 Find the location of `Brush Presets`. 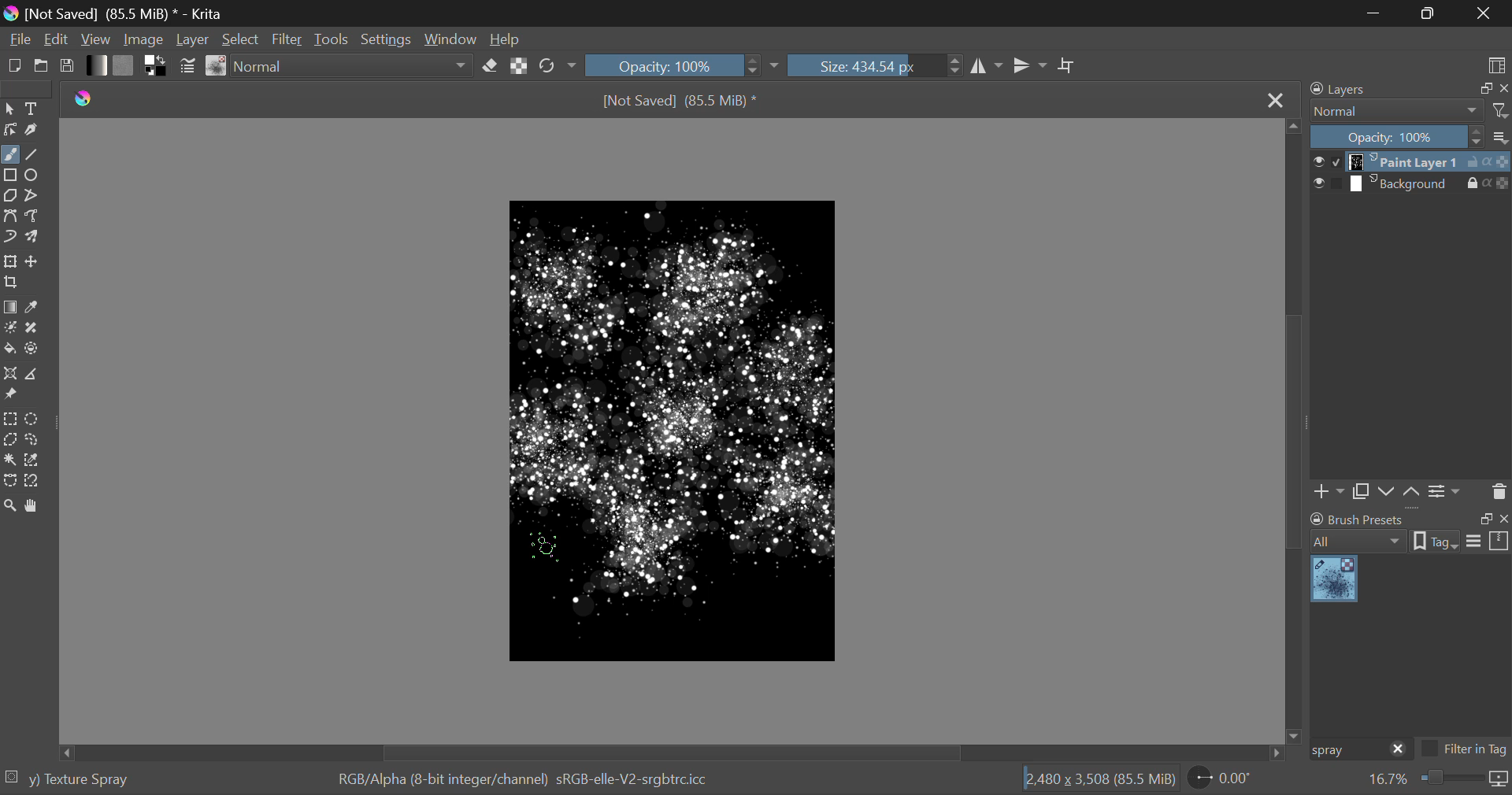

Brush Presets is located at coordinates (217, 66).